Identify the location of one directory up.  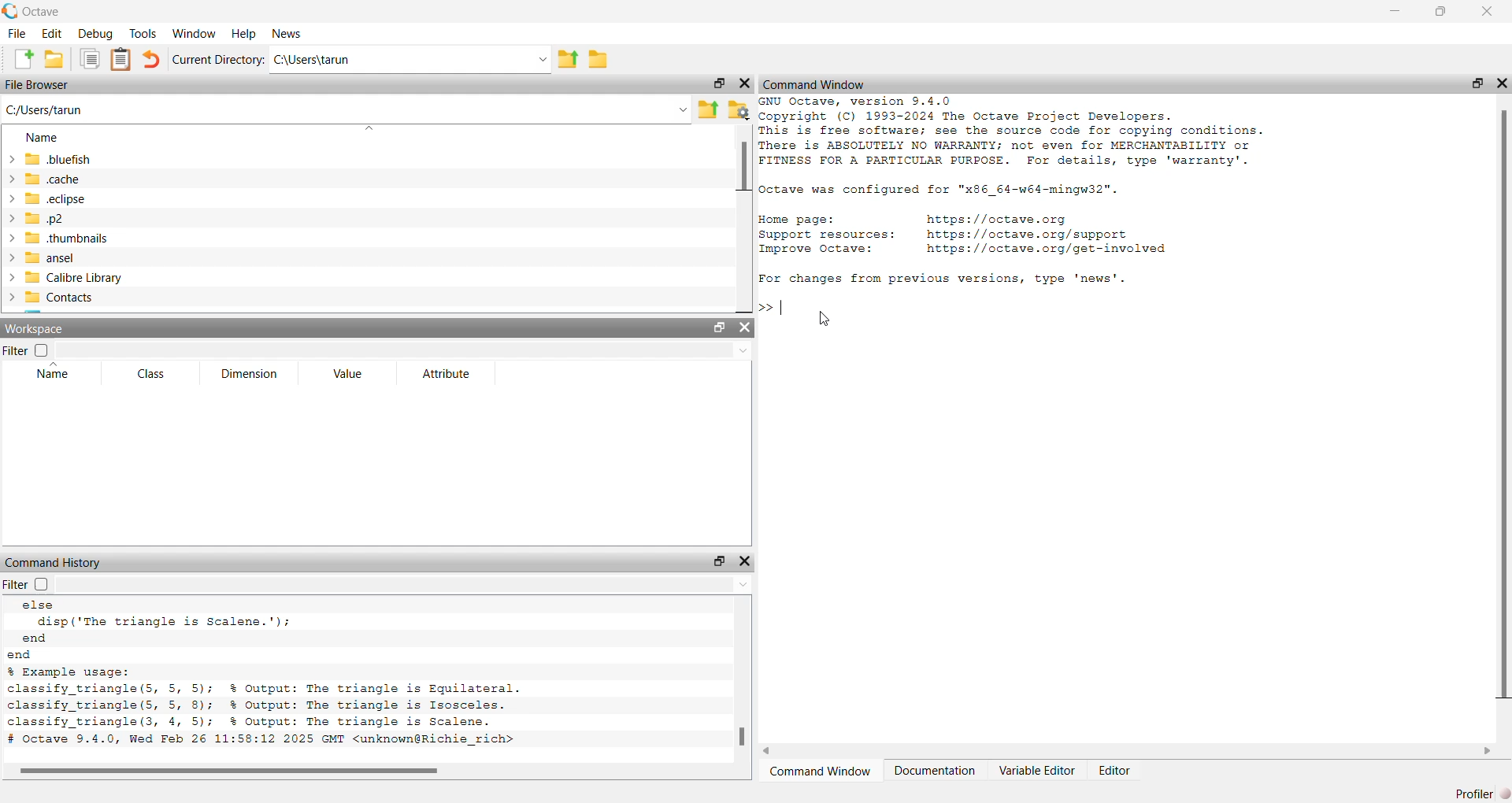
(706, 109).